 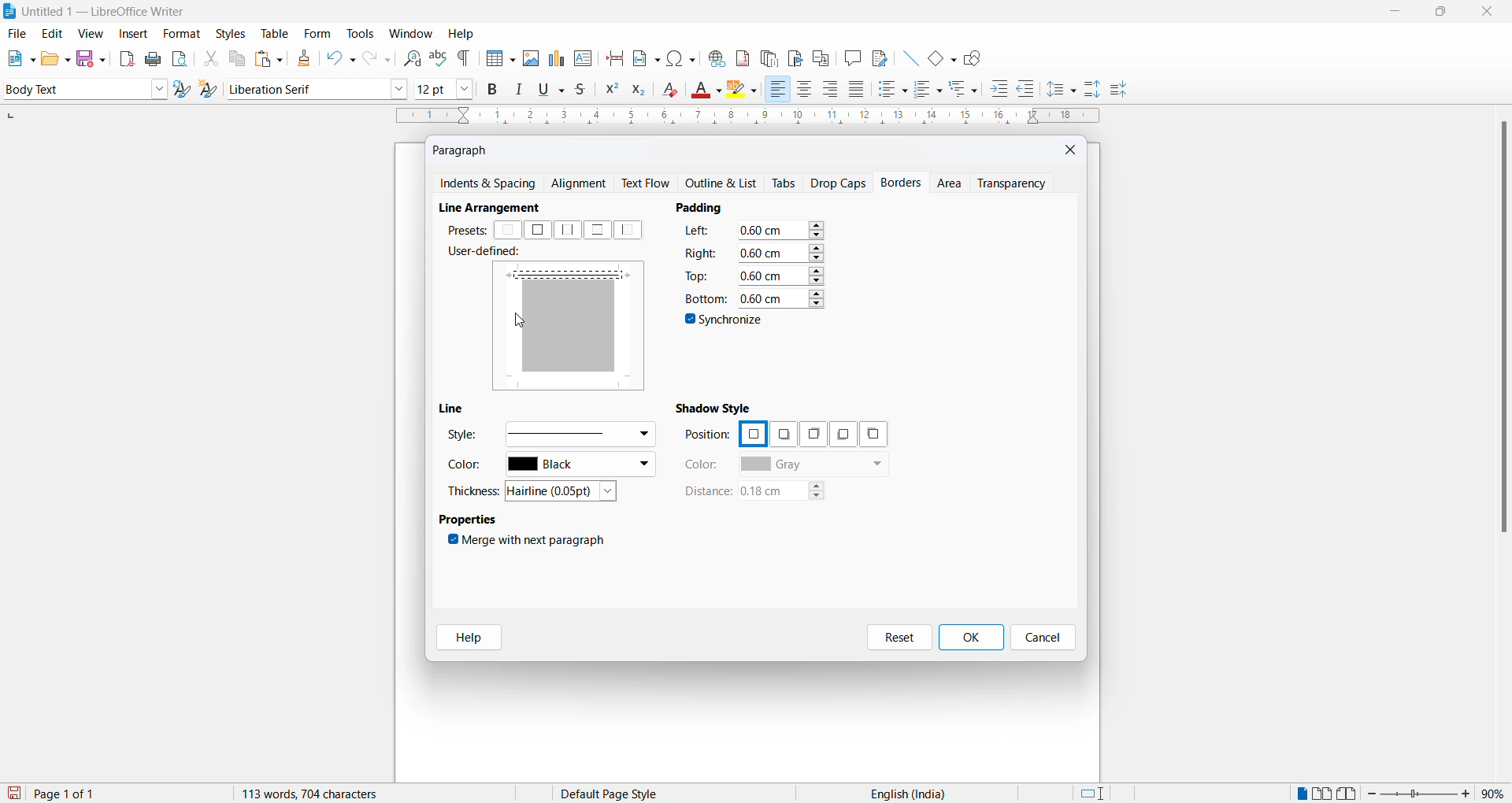 I want to click on superscript, so click(x=610, y=91).